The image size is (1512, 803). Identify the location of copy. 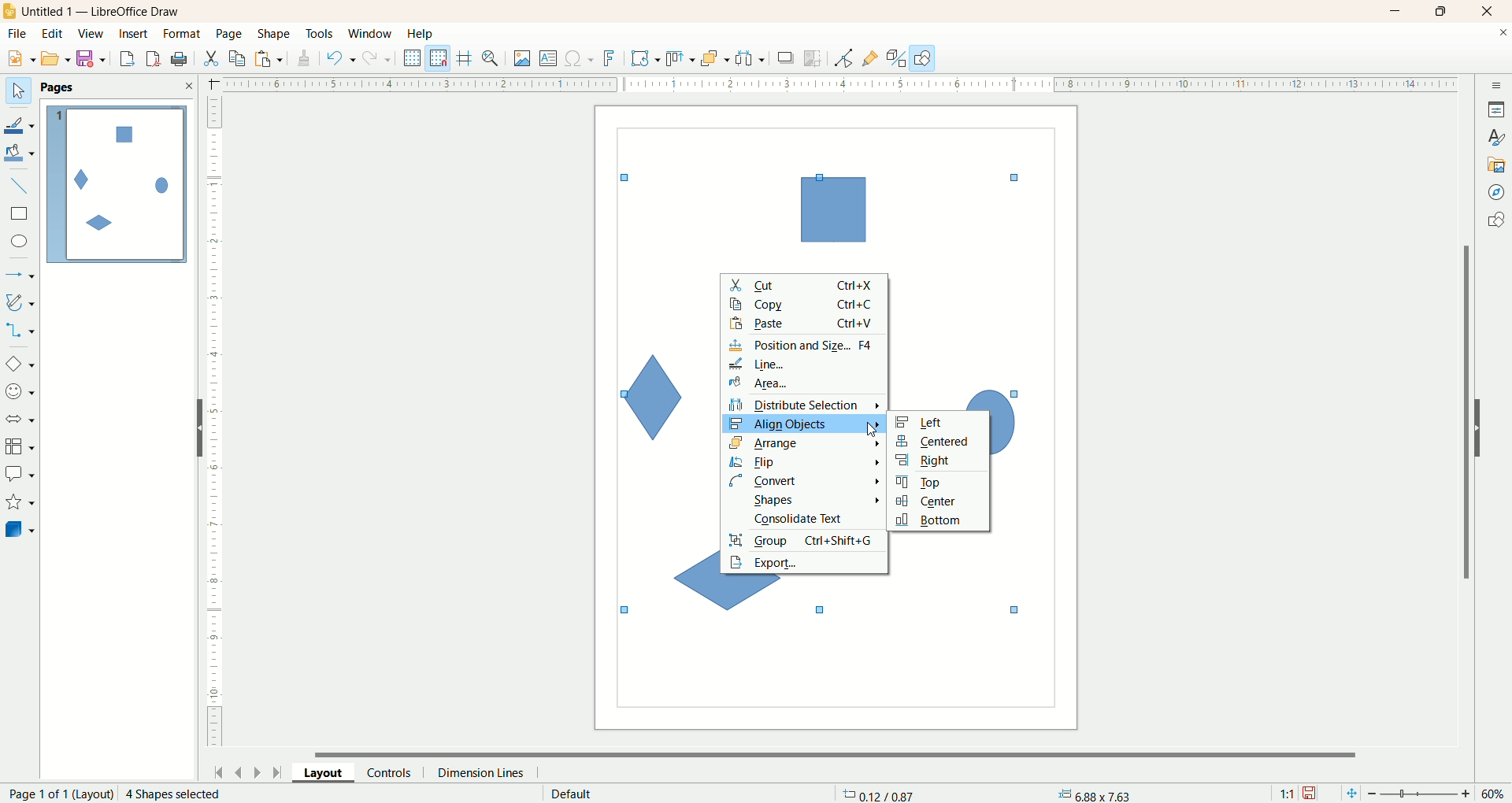
(238, 58).